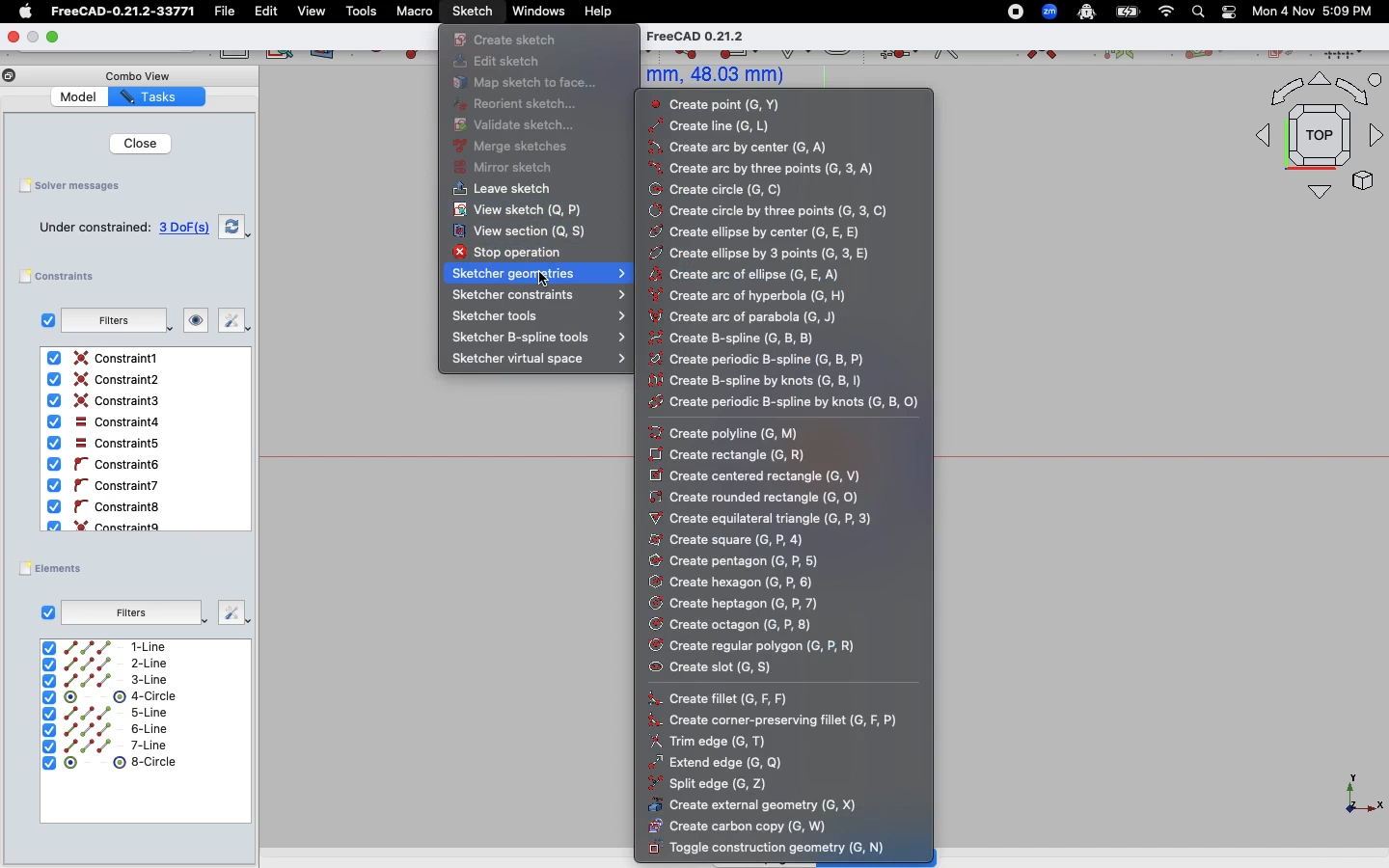 This screenshot has height=868, width=1389. I want to click on Stop operation, so click(522, 254).